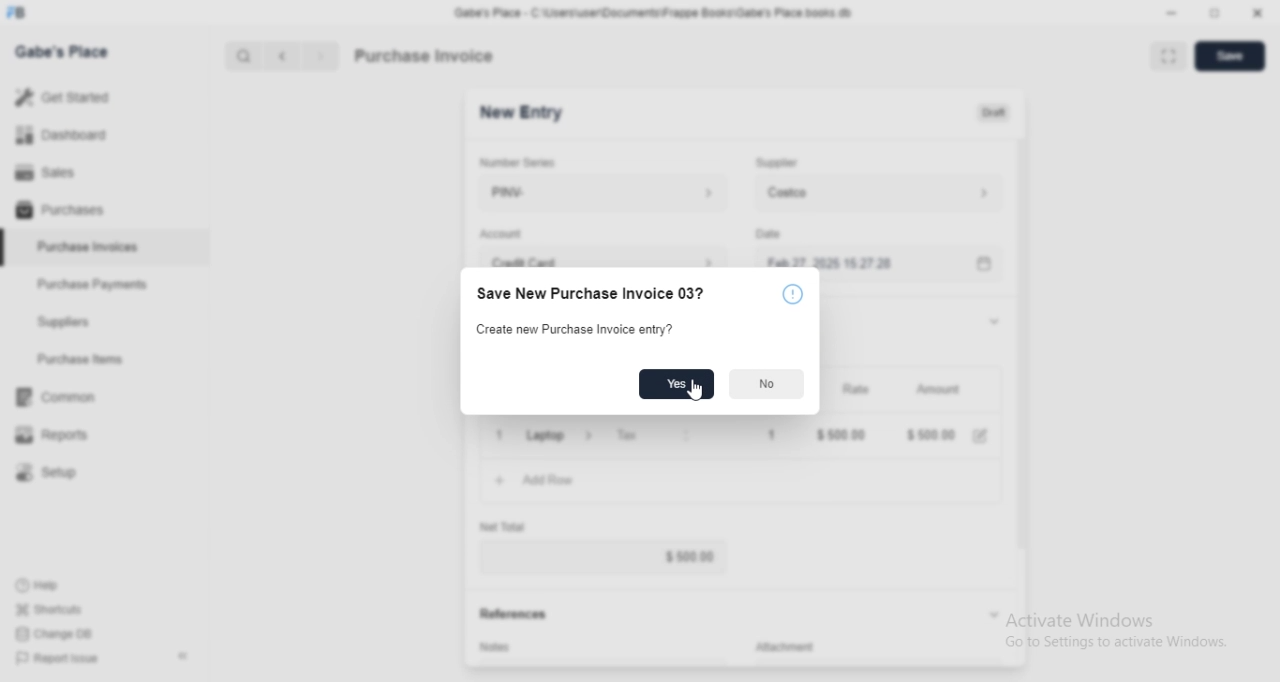  I want to click on Add invoice terms, so click(603, 662).